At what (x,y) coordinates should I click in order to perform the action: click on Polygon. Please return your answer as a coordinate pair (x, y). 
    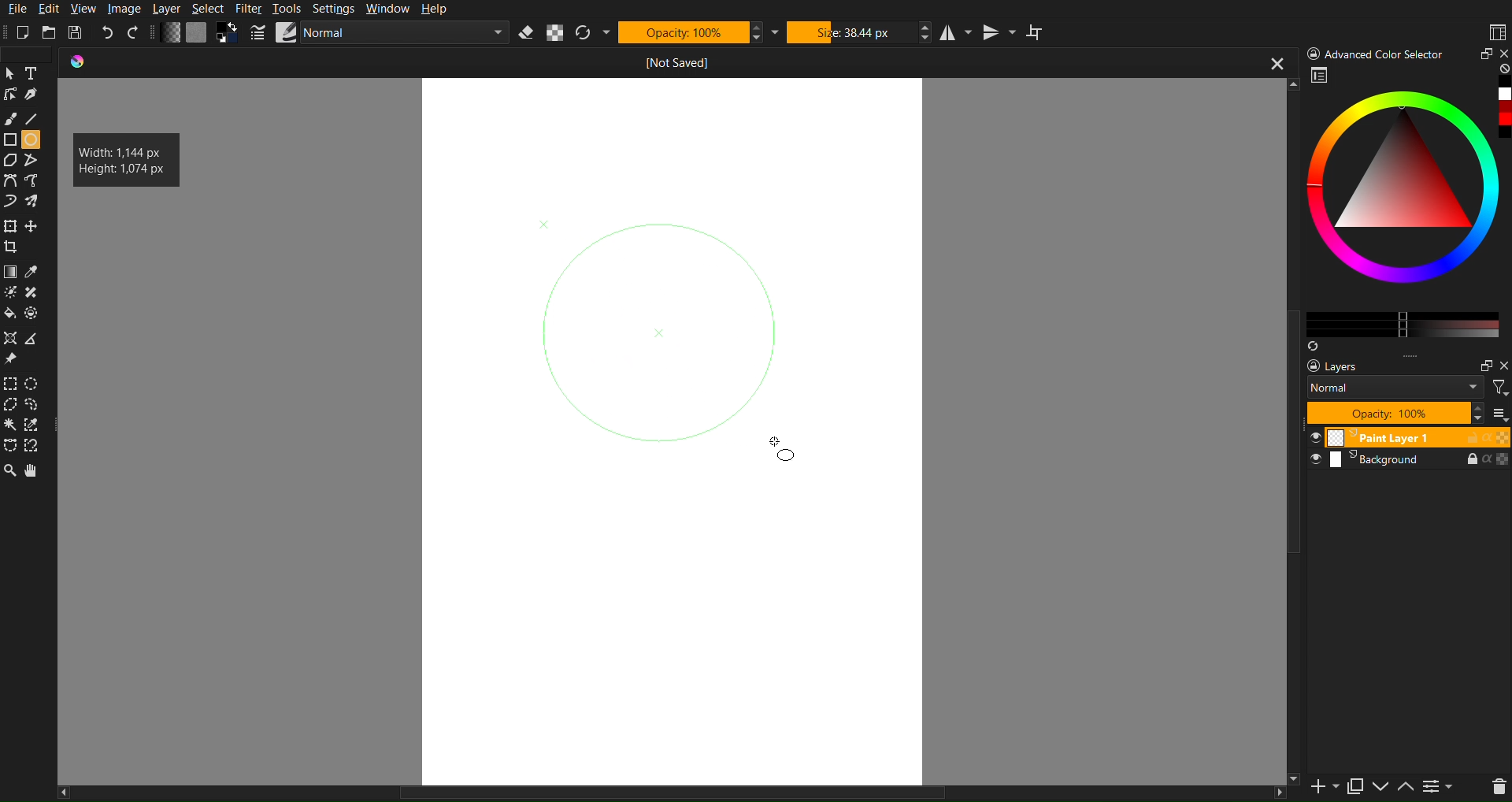
    Looking at the image, I should click on (9, 161).